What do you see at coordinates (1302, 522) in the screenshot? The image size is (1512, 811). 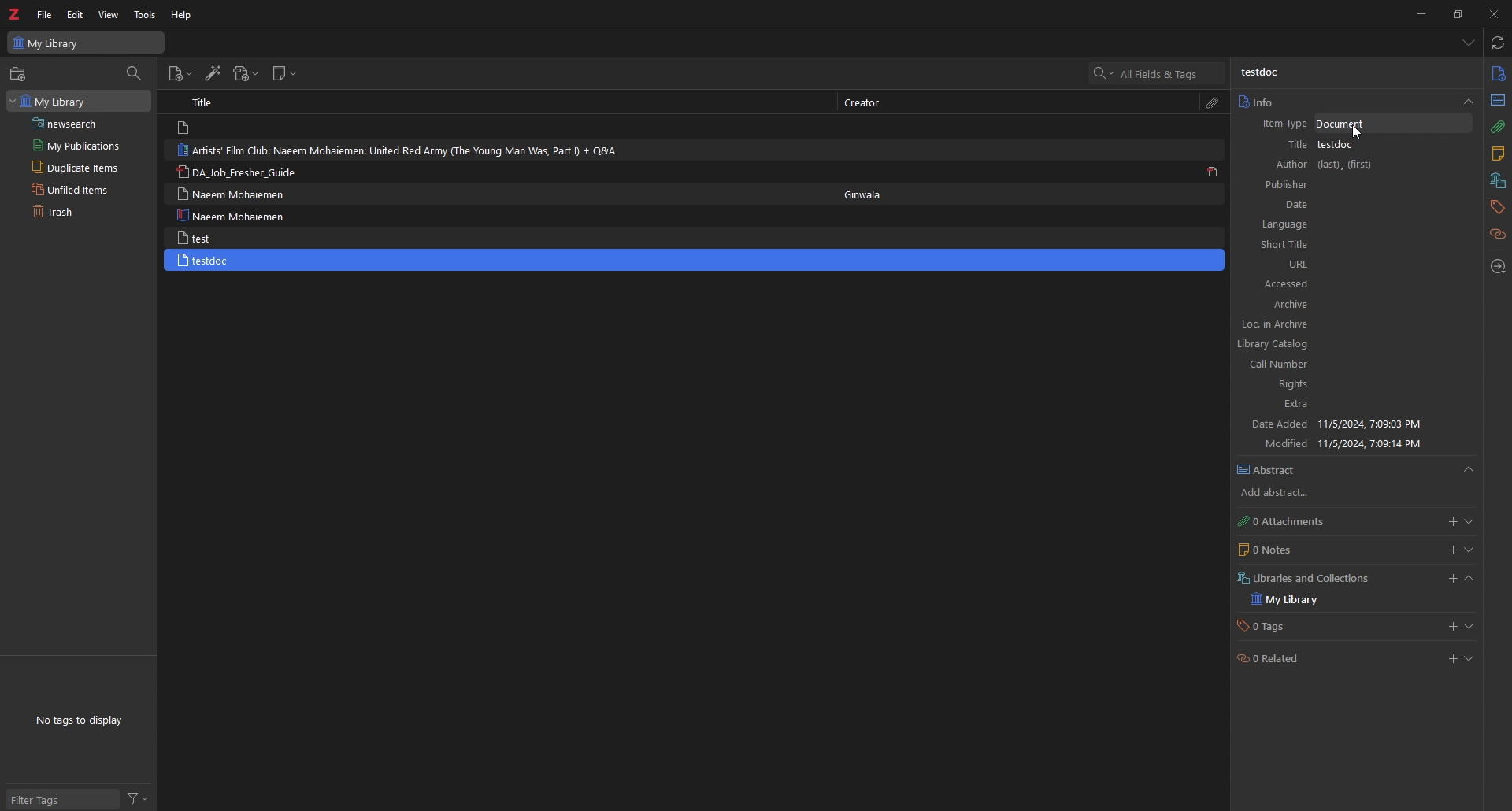 I see `0 Attachments` at bounding box center [1302, 522].